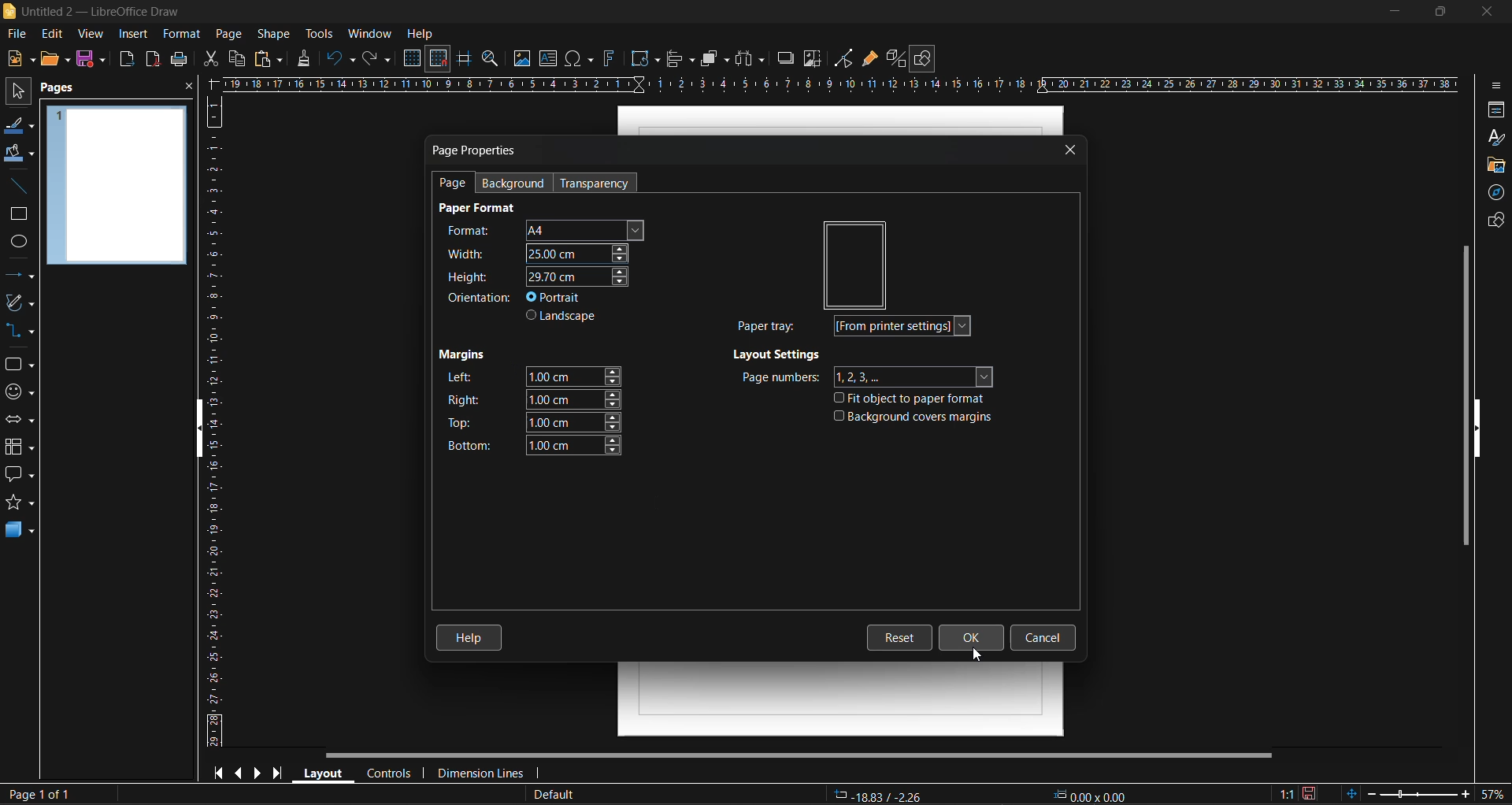  What do you see at coordinates (1284, 793) in the screenshot?
I see `scaling factor` at bounding box center [1284, 793].